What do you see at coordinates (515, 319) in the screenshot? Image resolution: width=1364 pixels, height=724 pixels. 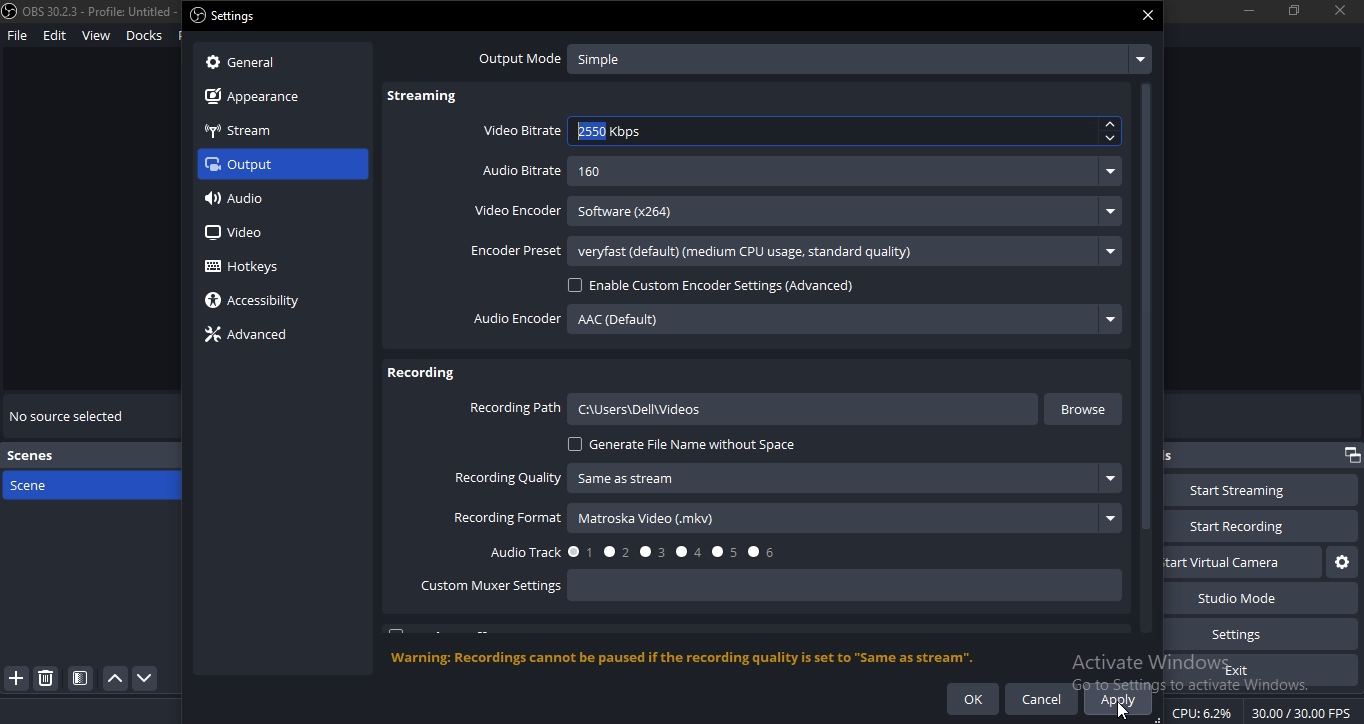 I see `audio encoder` at bounding box center [515, 319].